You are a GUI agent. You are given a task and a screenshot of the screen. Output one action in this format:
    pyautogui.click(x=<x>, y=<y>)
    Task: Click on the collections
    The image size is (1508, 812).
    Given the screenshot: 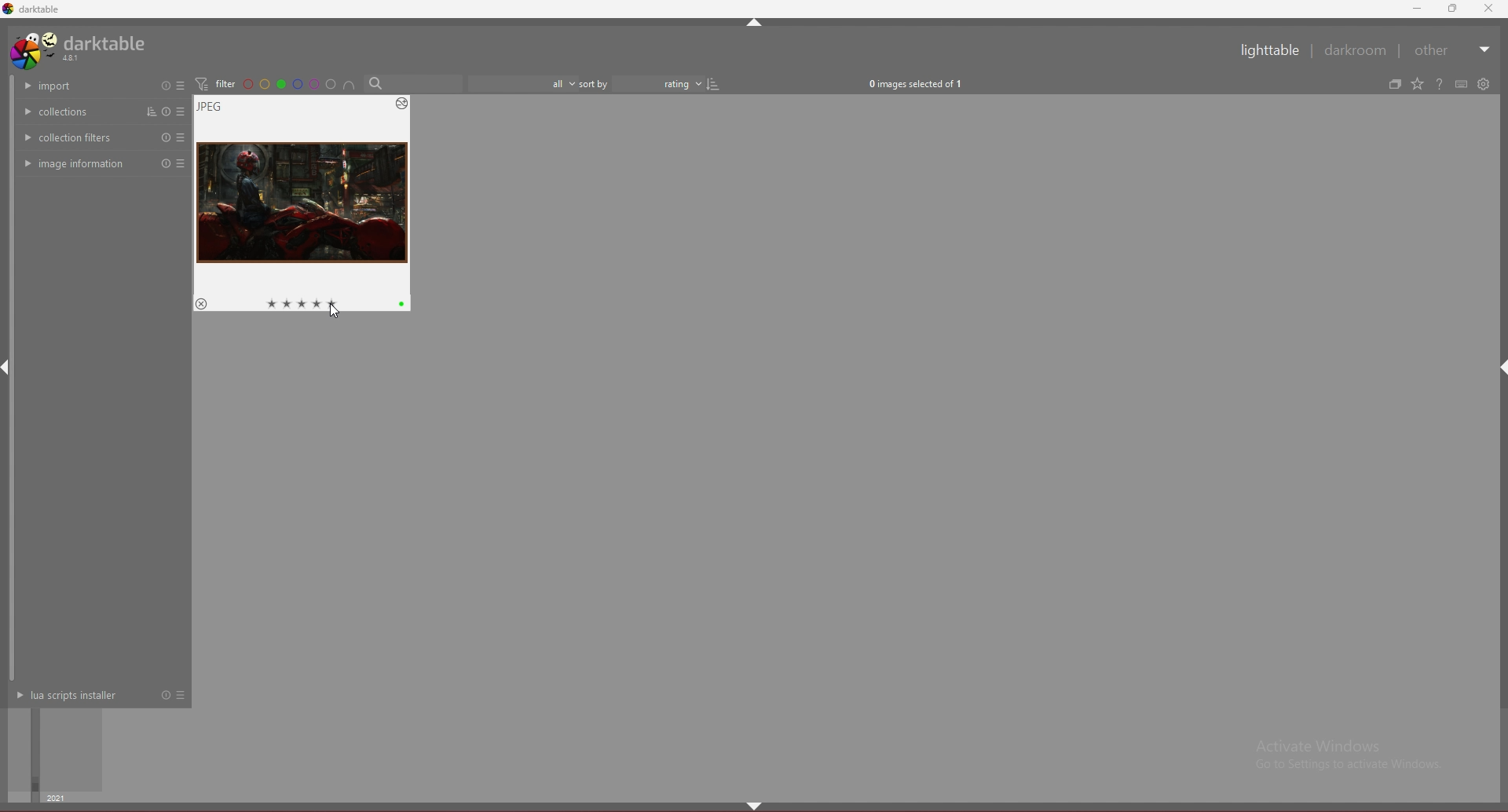 What is the action you would take?
    pyautogui.click(x=75, y=112)
    